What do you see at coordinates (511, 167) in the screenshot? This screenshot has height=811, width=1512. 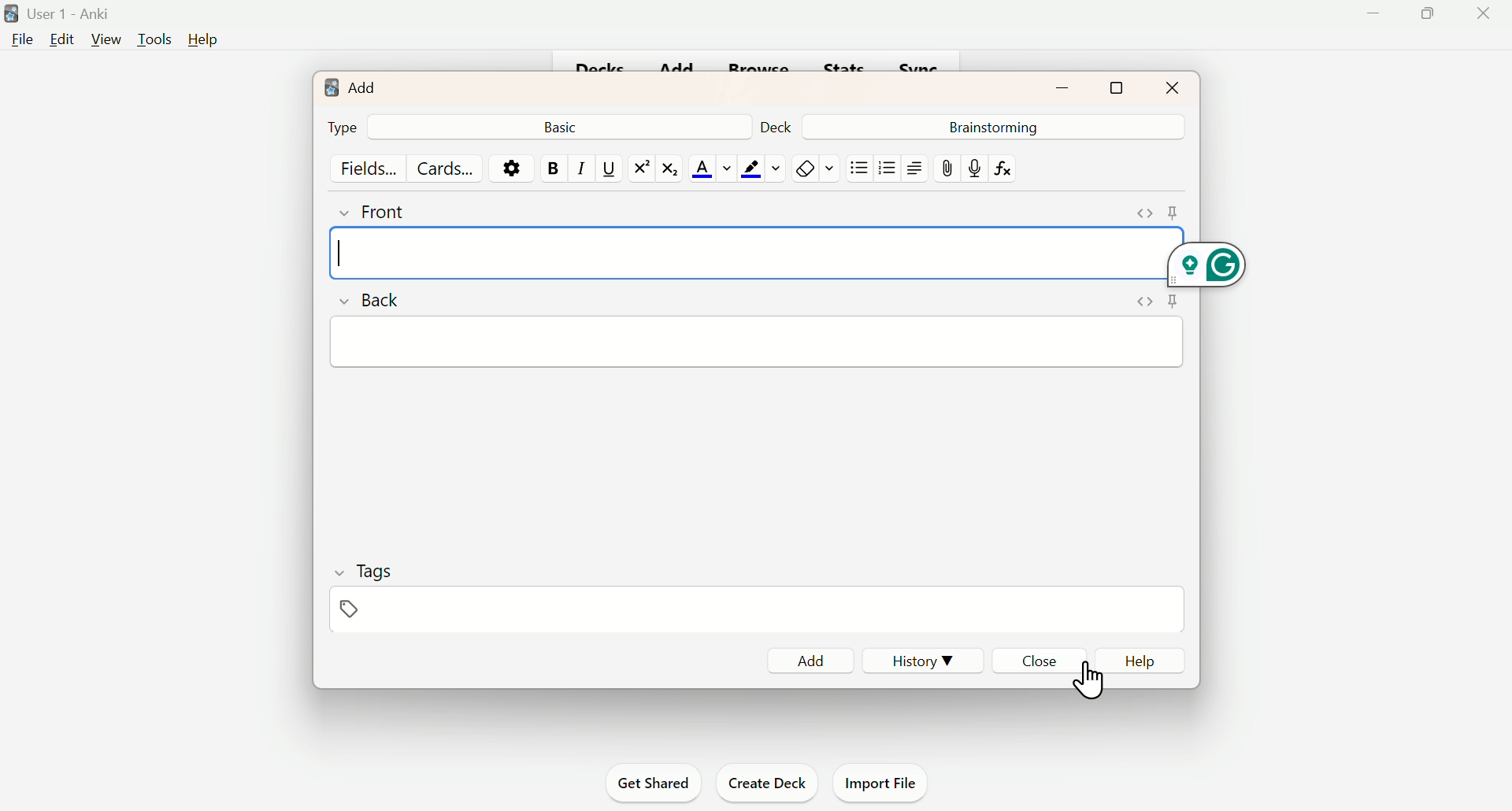 I see `Options` at bounding box center [511, 167].